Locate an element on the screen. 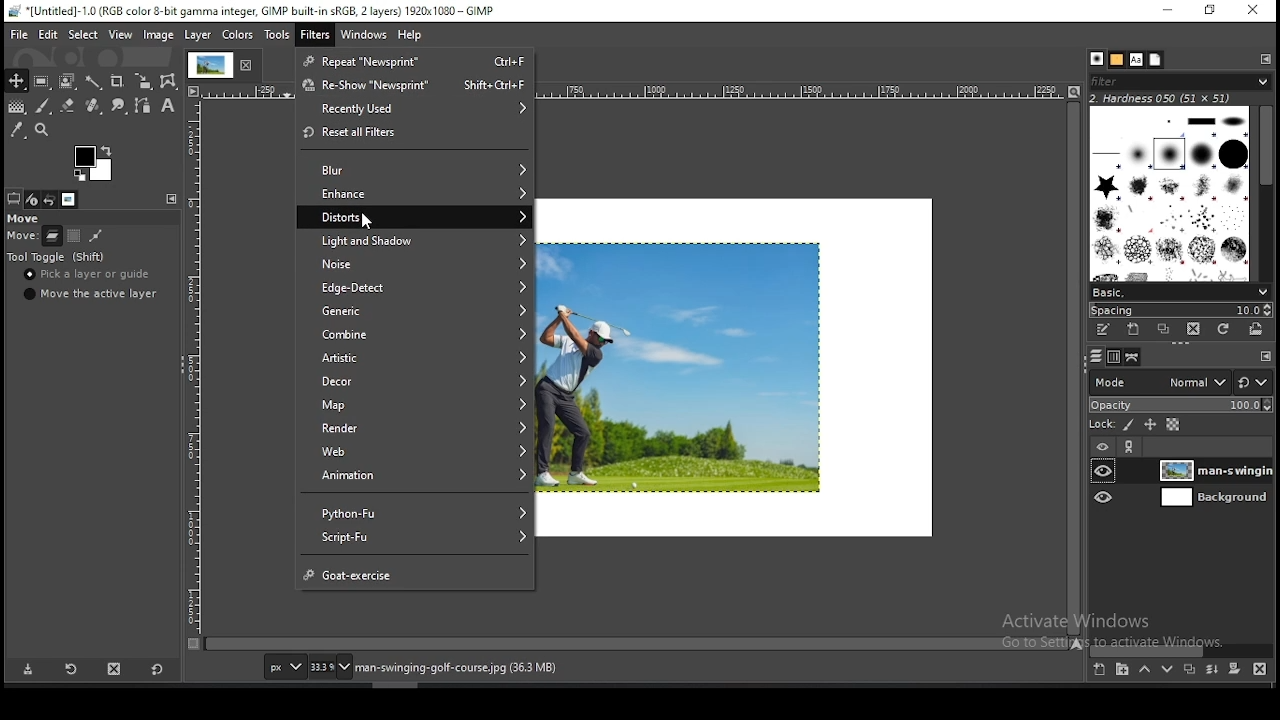 This screenshot has height=720, width=1280. python fu is located at coordinates (415, 510).